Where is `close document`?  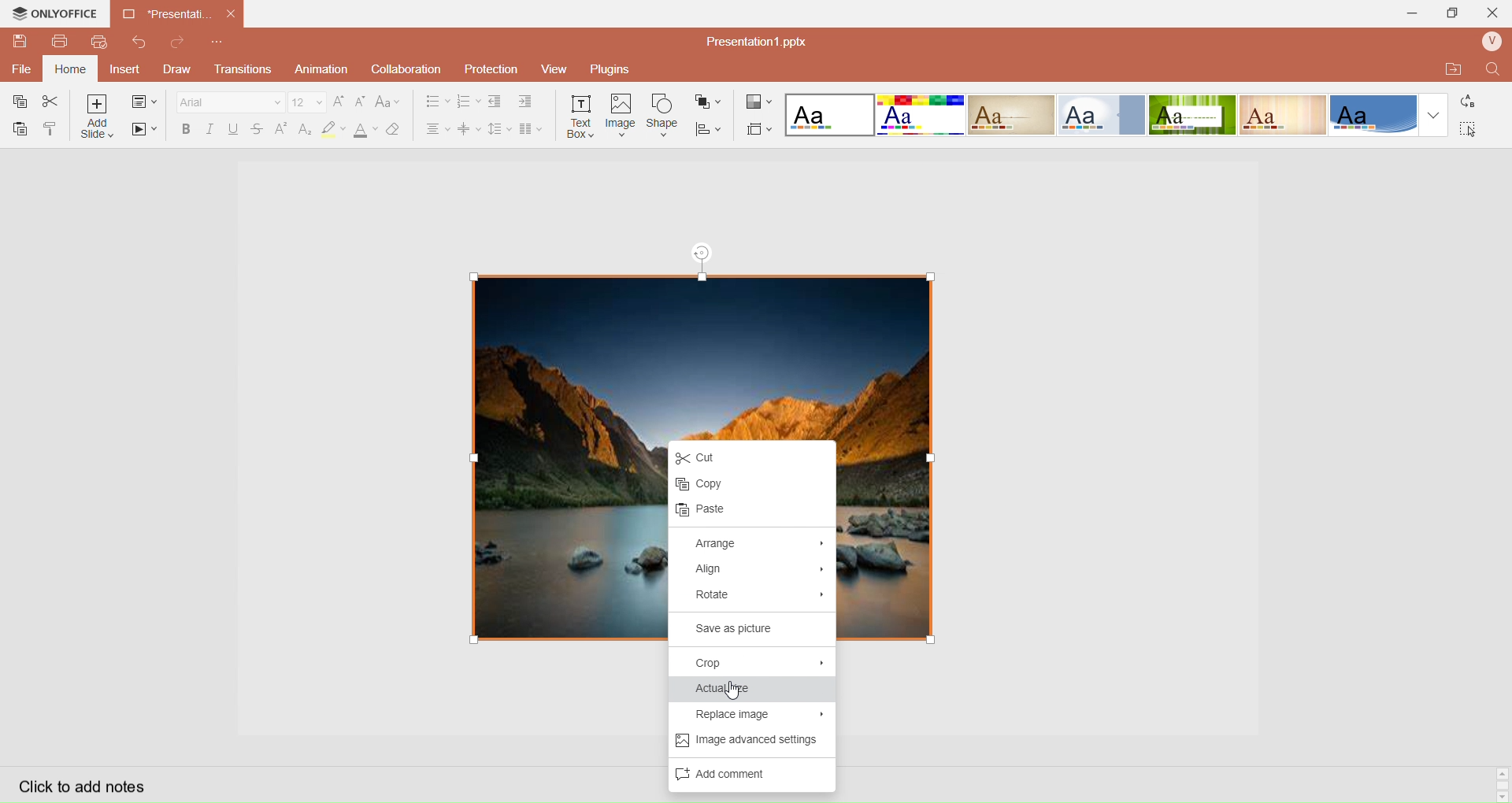
close document is located at coordinates (234, 15).